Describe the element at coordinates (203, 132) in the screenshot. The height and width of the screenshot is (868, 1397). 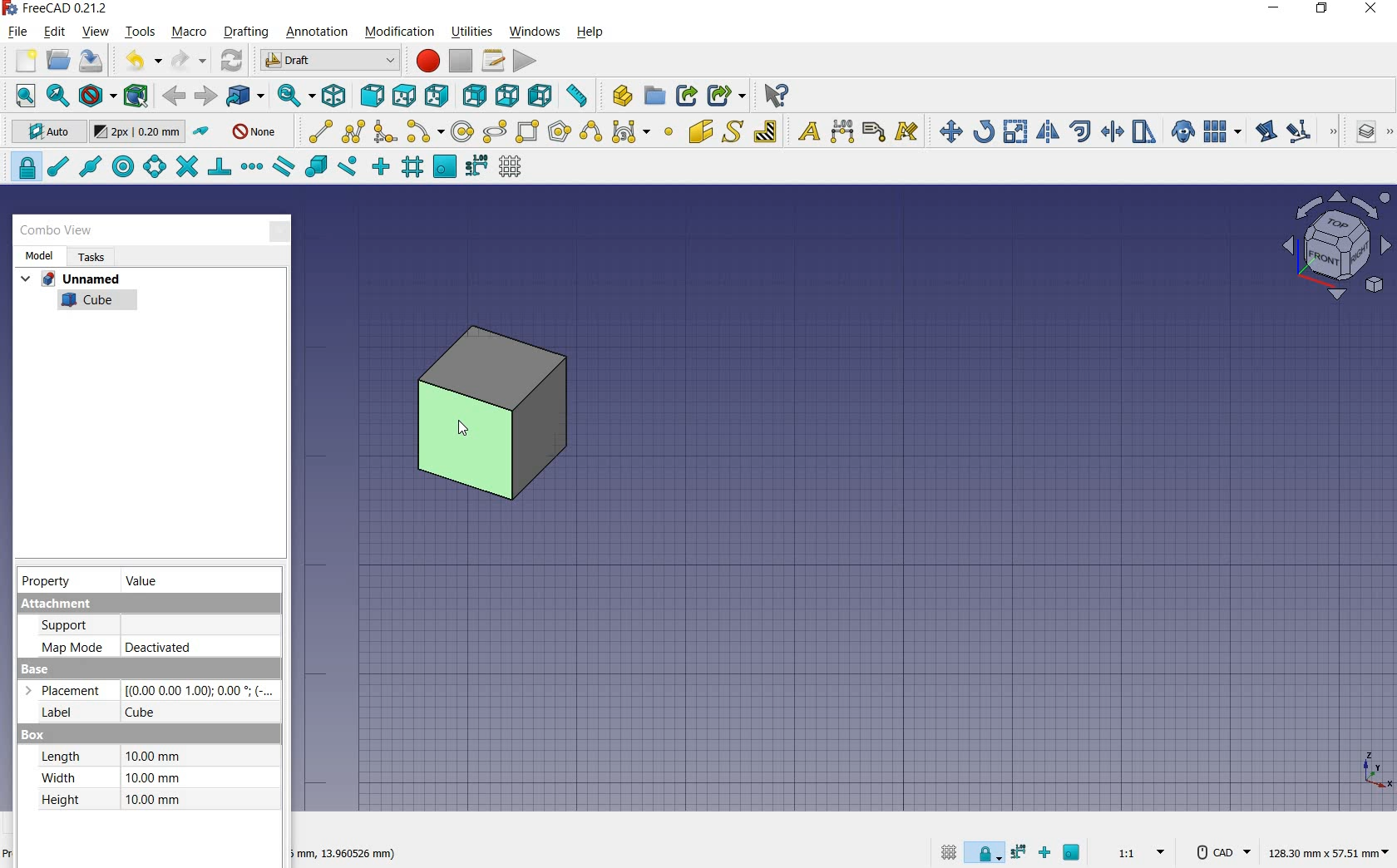
I see `toggle construction mode` at that location.